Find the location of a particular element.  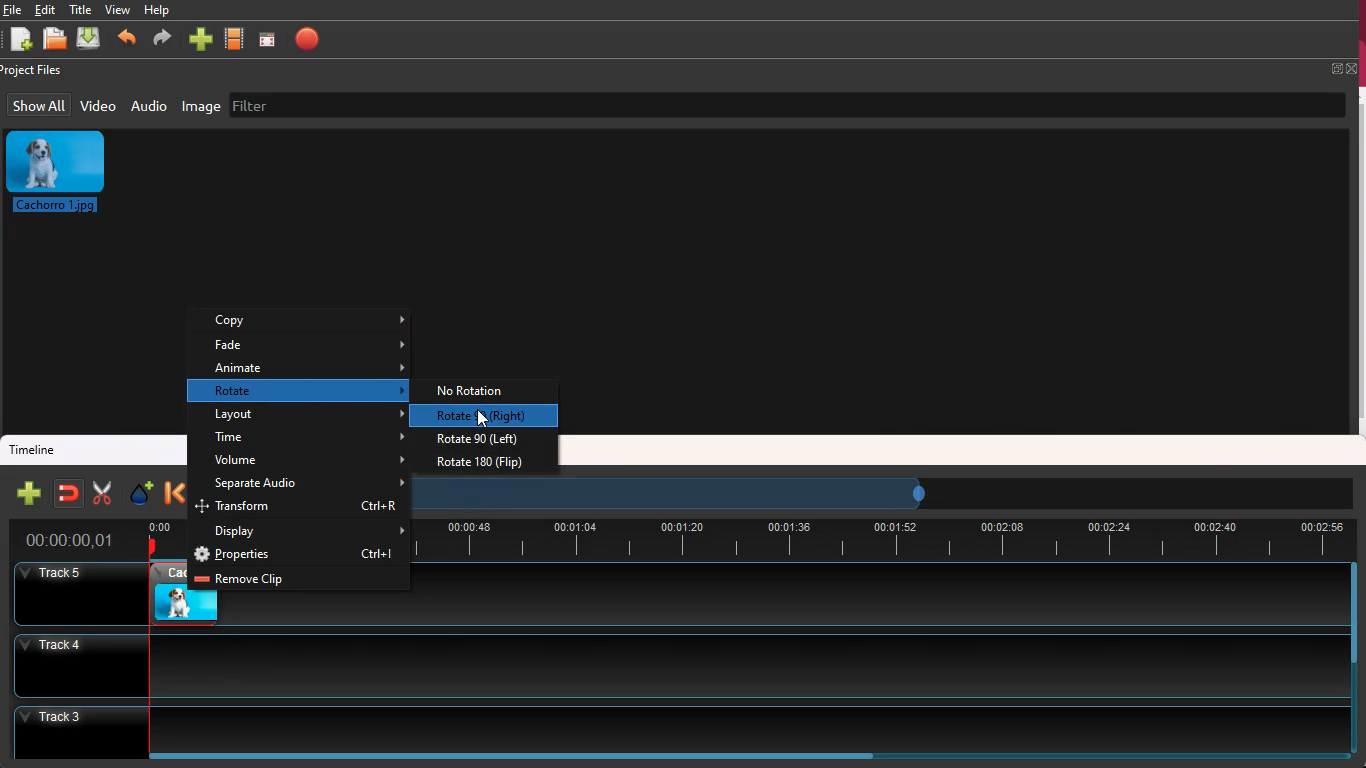

no rotation is located at coordinates (476, 391).